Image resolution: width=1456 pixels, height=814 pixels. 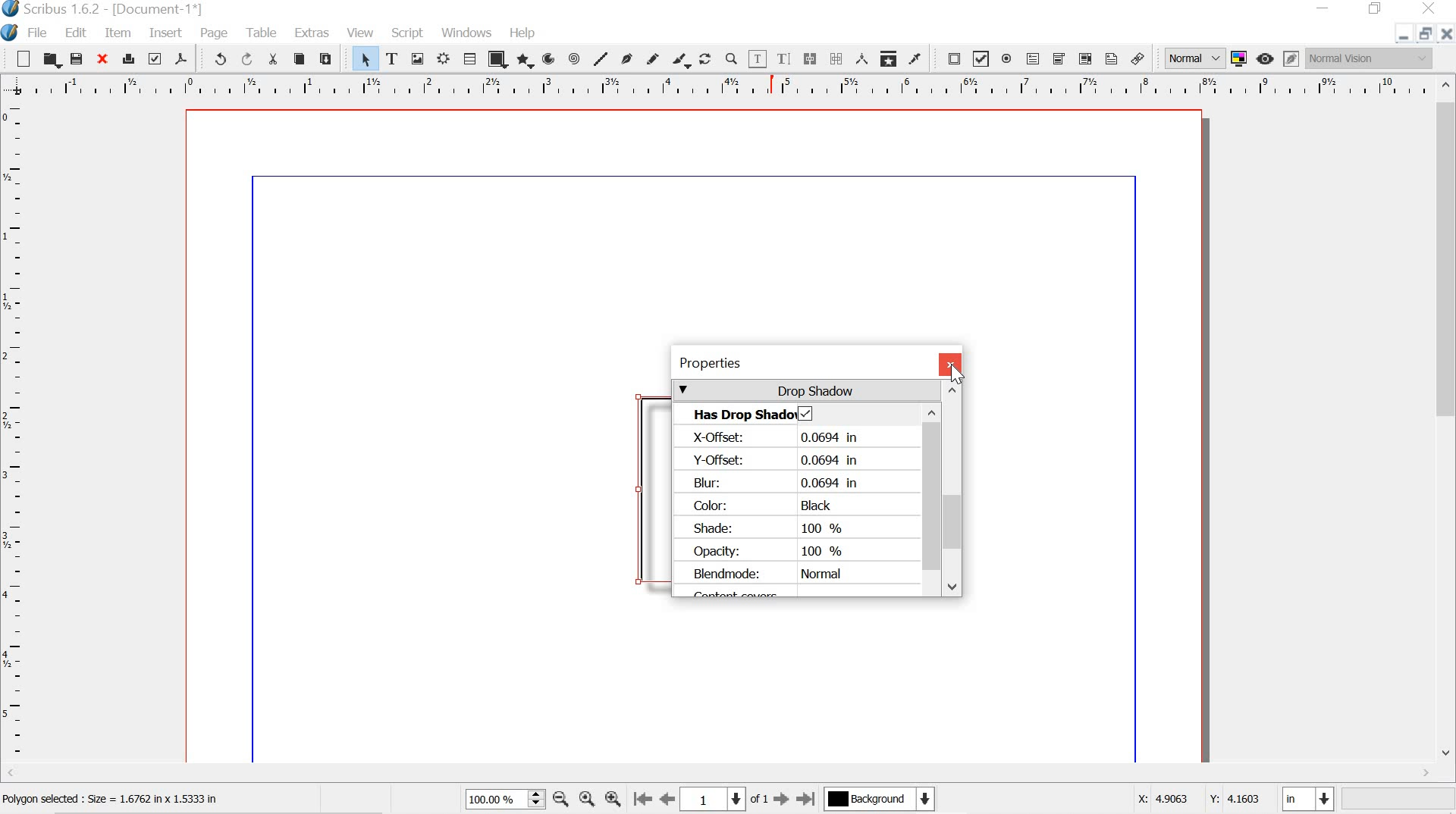 What do you see at coordinates (957, 374) in the screenshot?
I see `cursor` at bounding box center [957, 374].